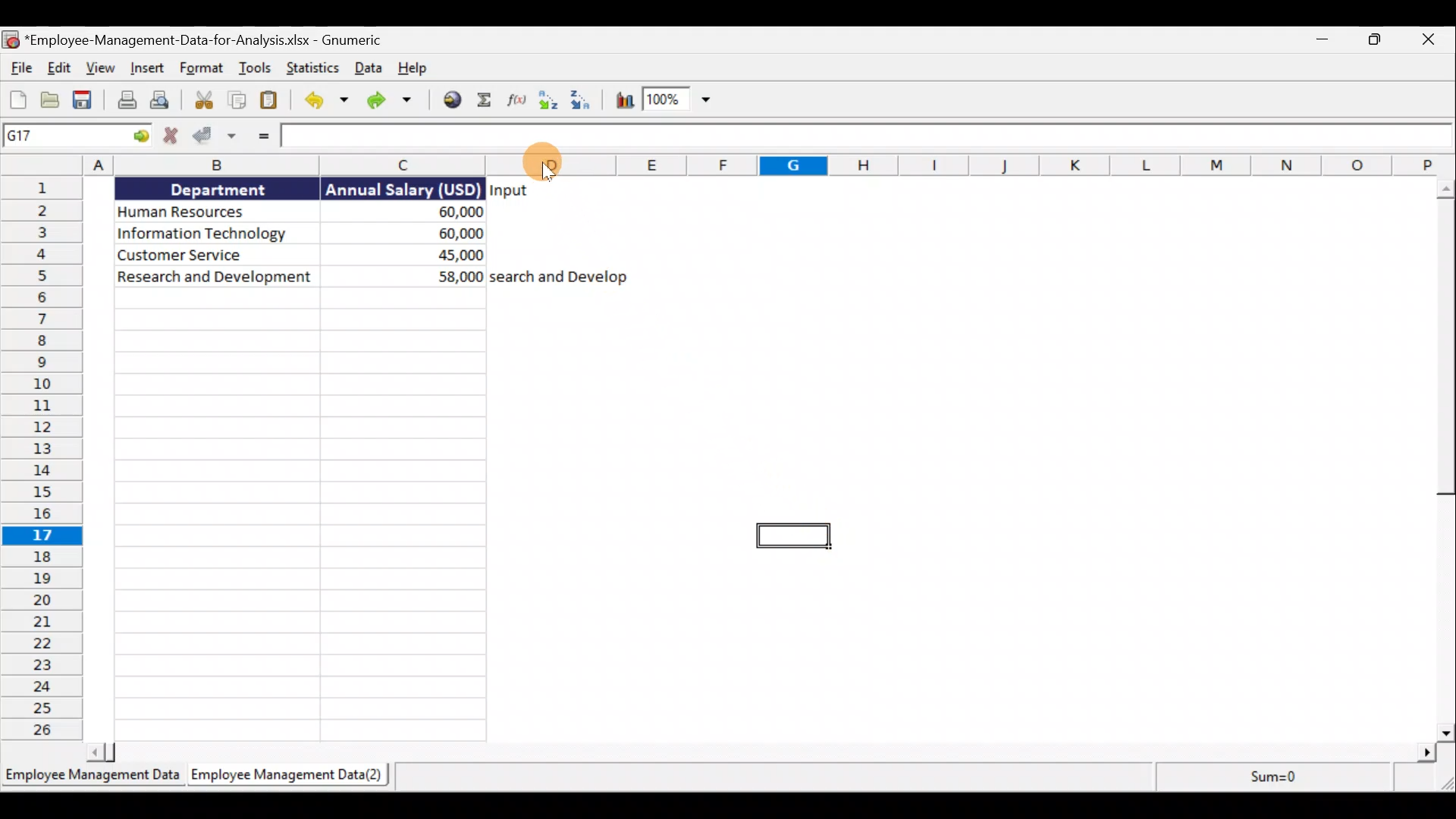  Describe the element at coordinates (213, 457) in the screenshot. I see `Department column` at that location.